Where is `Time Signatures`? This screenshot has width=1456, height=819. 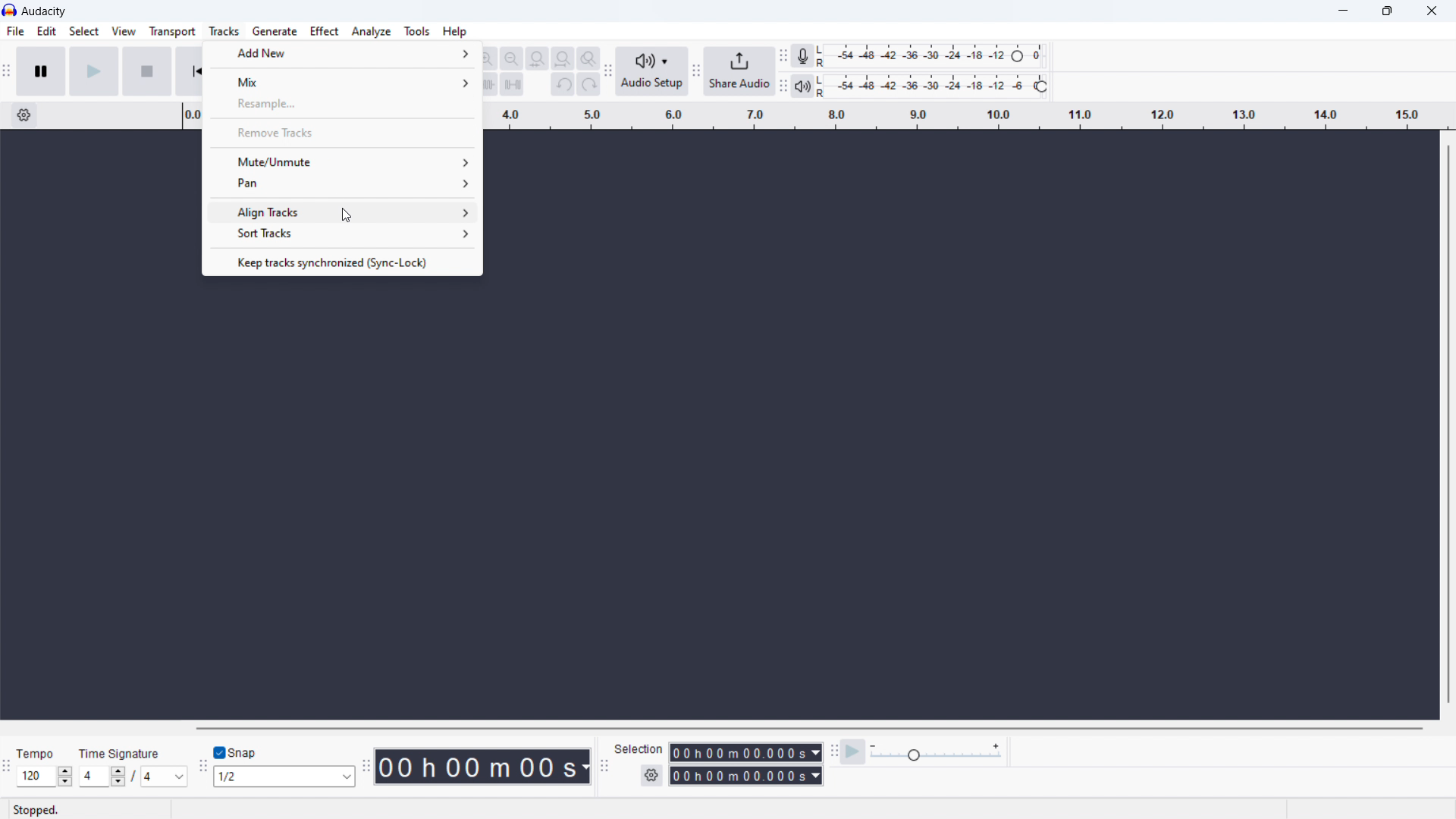 Time Signatures is located at coordinates (121, 754).